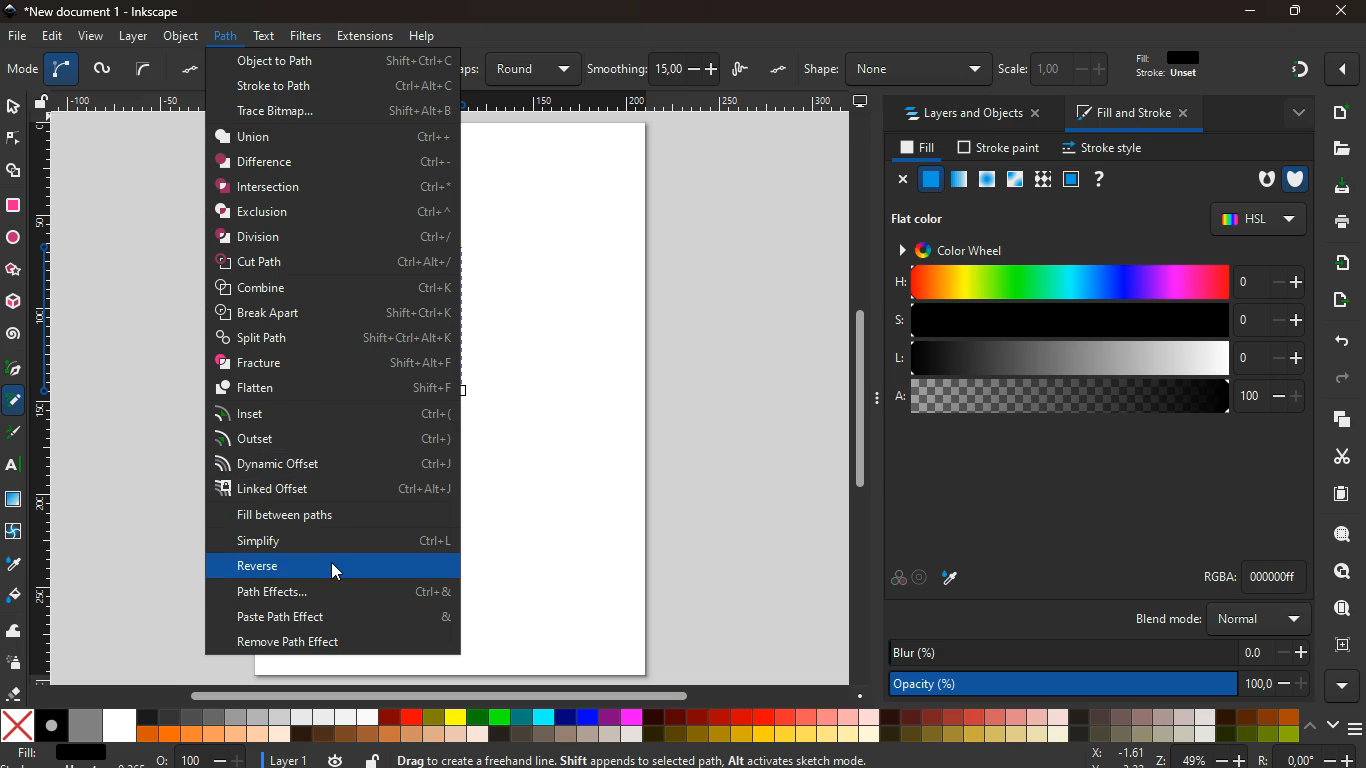  I want to click on reverse, so click(337, 567).